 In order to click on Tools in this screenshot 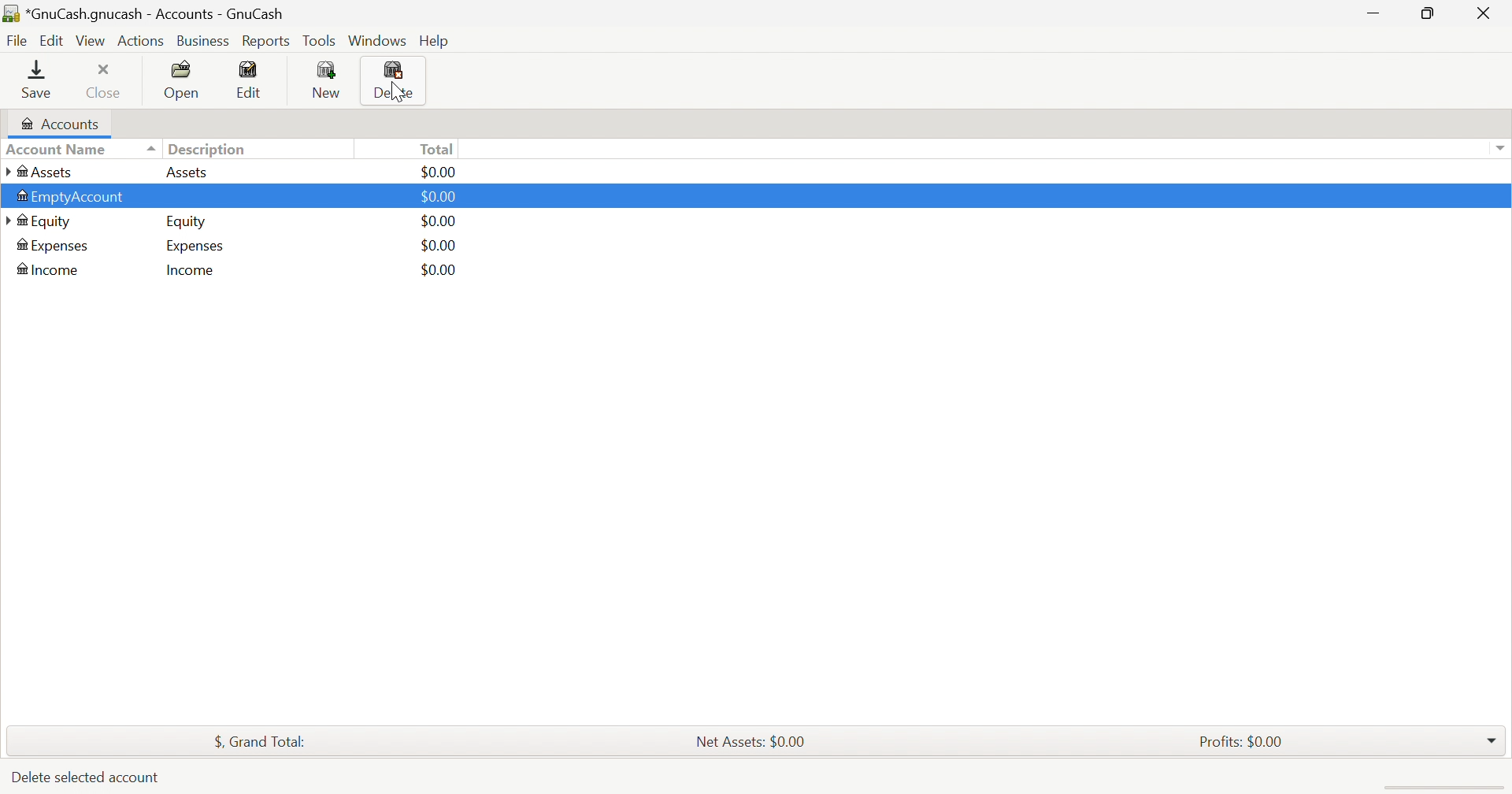, I will do `click(321, 43)`.